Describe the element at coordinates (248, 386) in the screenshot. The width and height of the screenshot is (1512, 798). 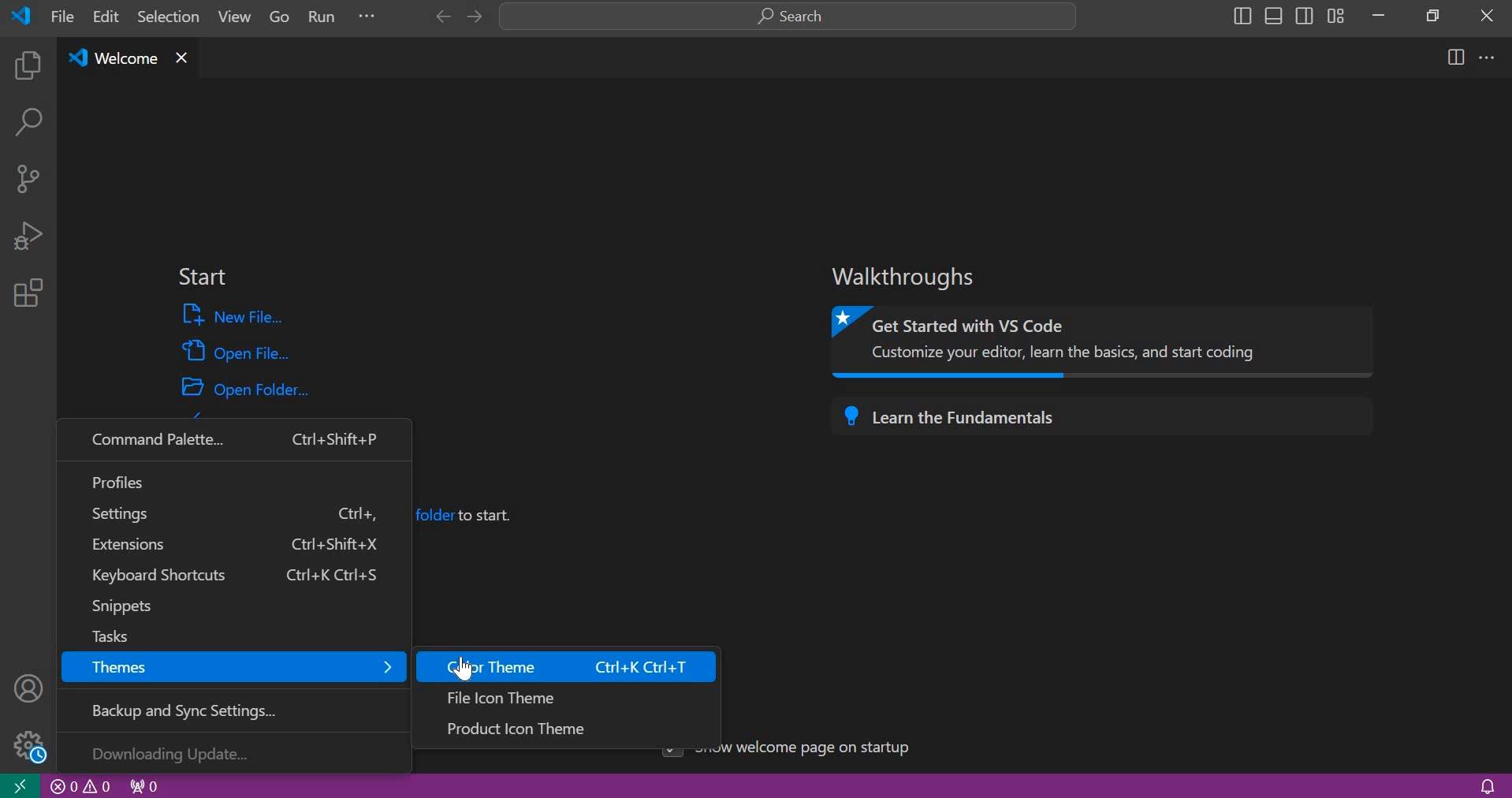
I see `open folder` at that location.